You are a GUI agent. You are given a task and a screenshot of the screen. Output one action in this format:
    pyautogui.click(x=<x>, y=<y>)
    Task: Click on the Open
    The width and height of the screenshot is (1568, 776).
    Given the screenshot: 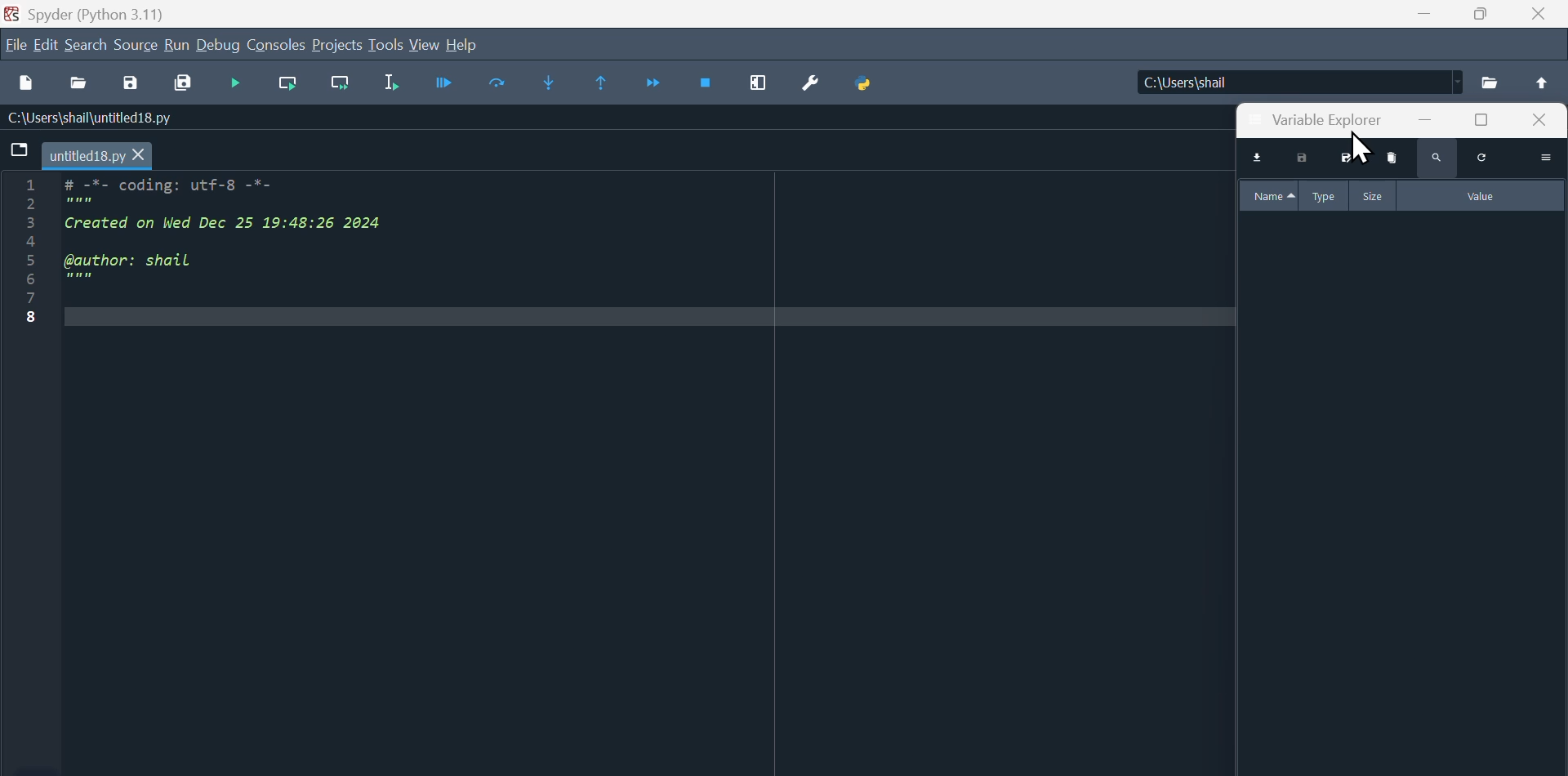 What is the action you would take?
    pyautogui.click(x=82, y=85)
    